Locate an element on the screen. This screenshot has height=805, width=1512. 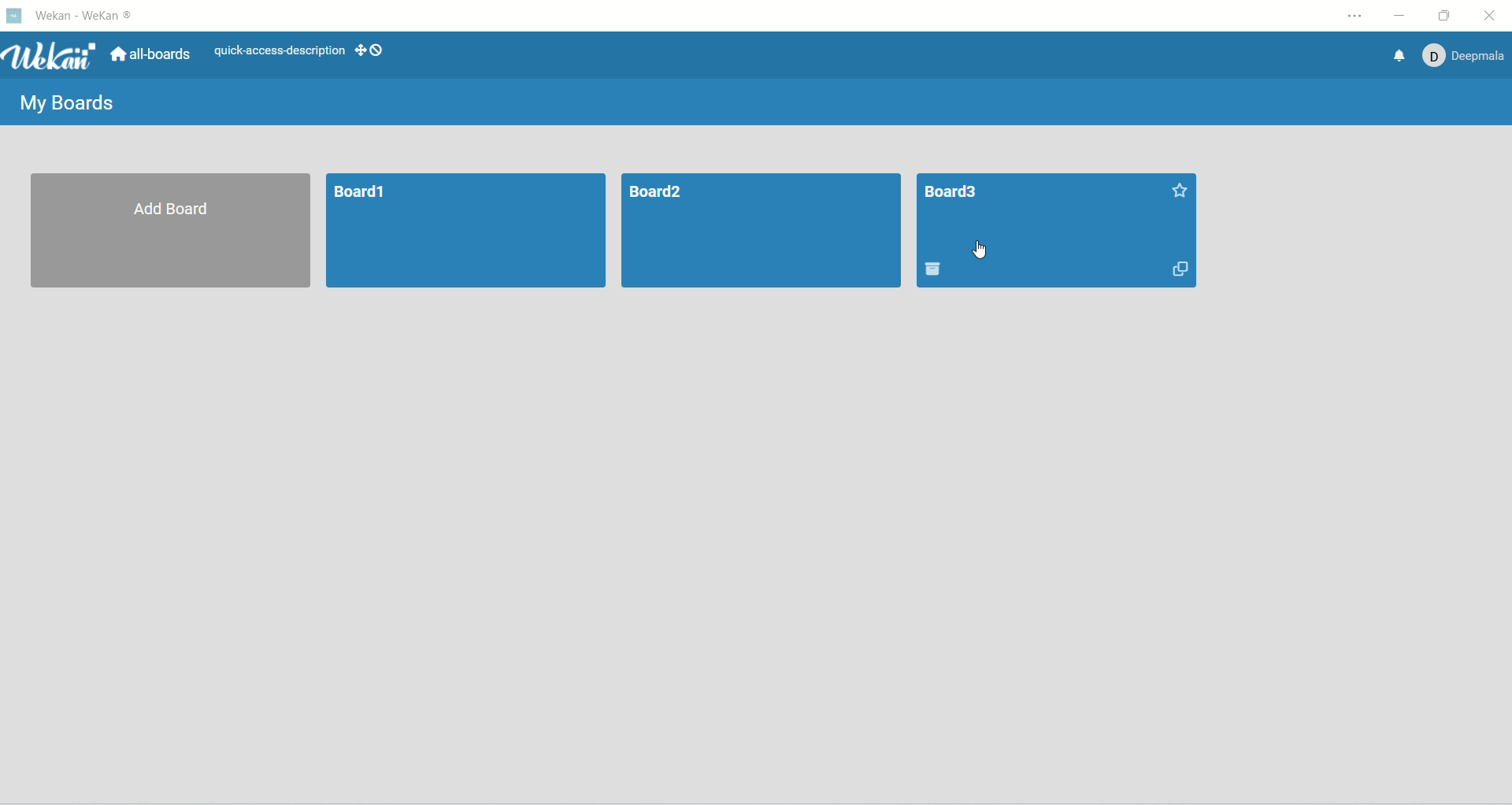
wekan is located at coordinates (50, 58).